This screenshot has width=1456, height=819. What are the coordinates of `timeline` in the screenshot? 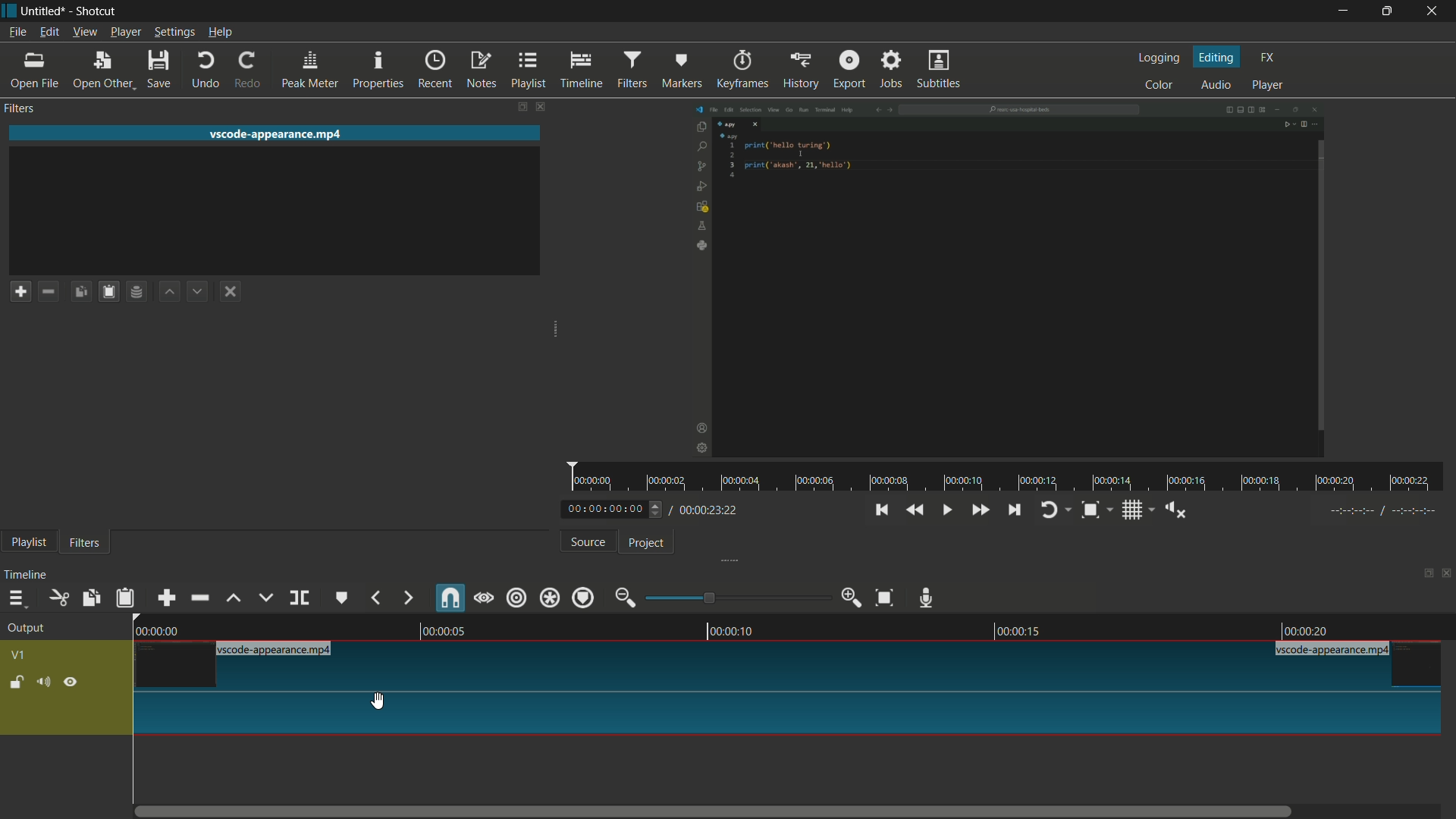 It's located at (789, 628).